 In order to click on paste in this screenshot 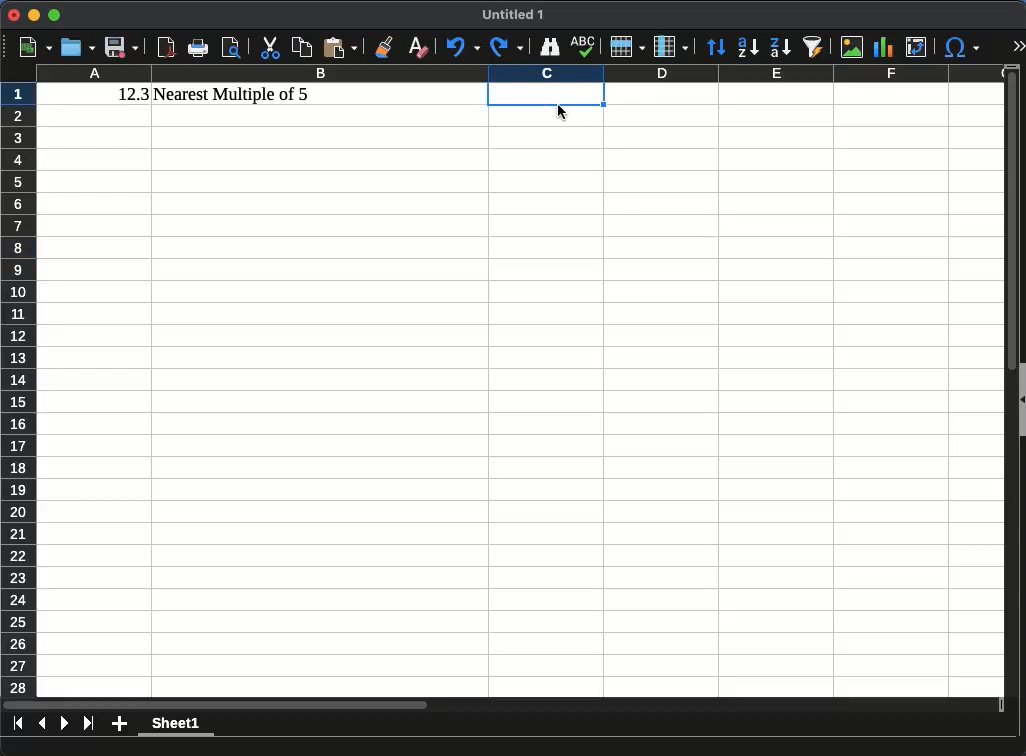, I will do `click(340, 47)`.